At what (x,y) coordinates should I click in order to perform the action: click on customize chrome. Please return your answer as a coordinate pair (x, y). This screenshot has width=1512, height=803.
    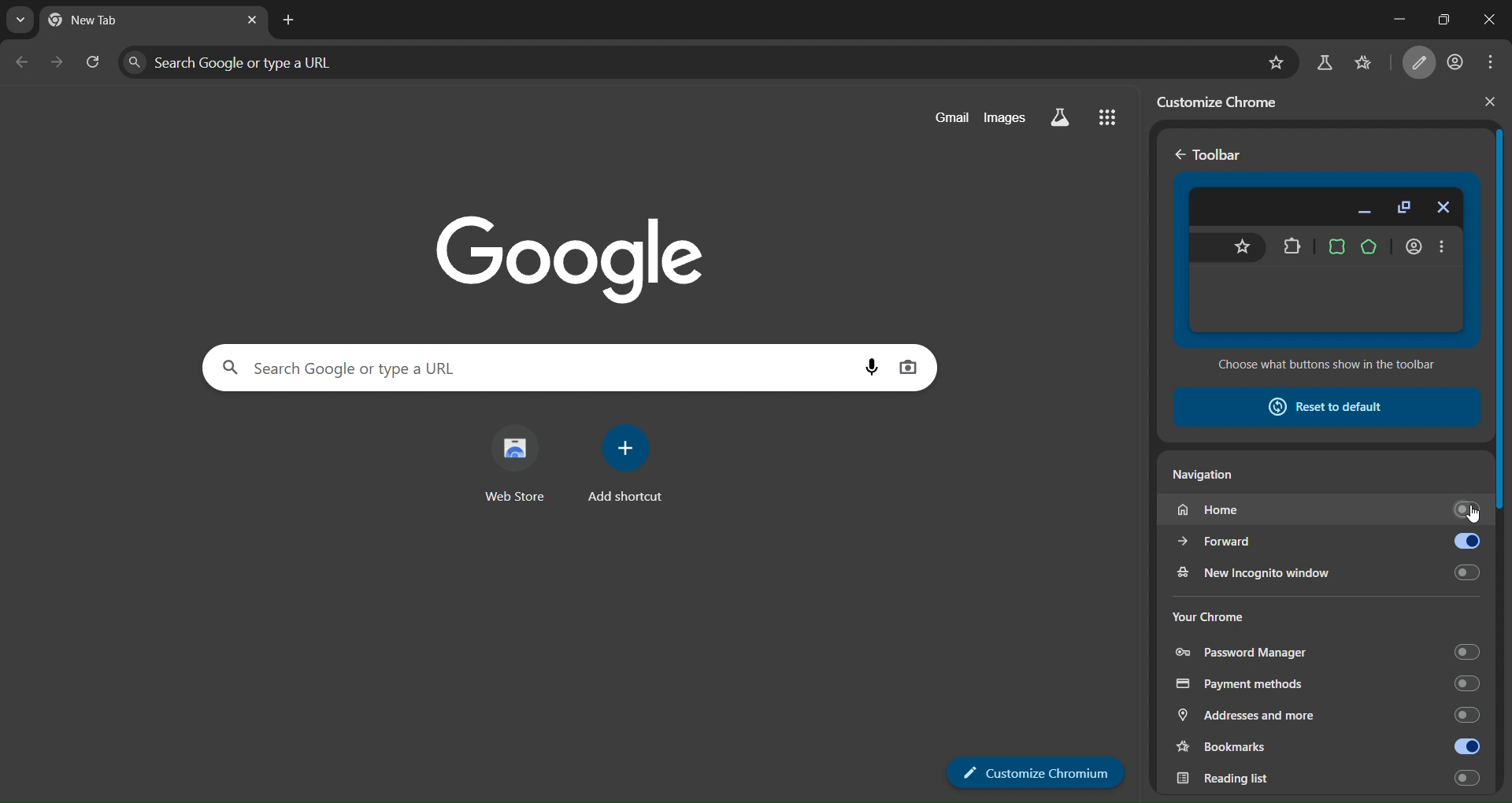
    Looking at the image, I should click on (1228, 101).